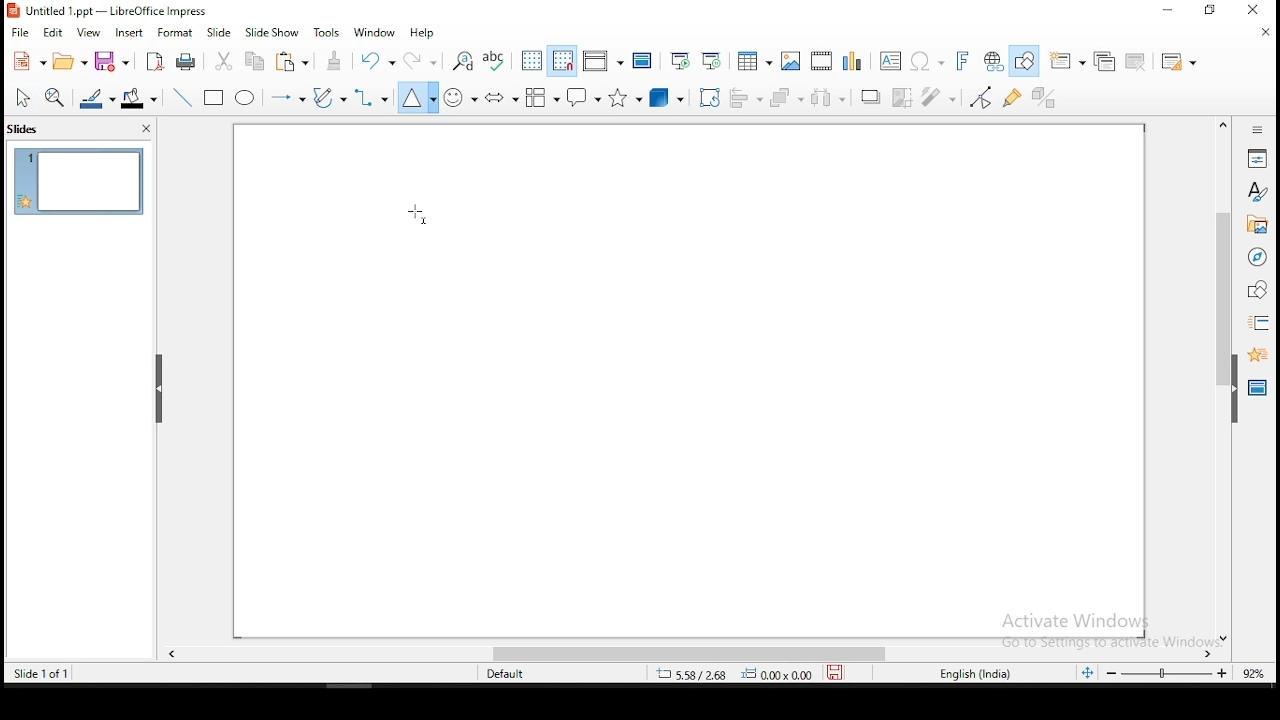 This screenshot has width=1280, height=720. What do you see at coordinates (755, 61) in the screenshot?
I see `tables` at bounding box center [755, 61].